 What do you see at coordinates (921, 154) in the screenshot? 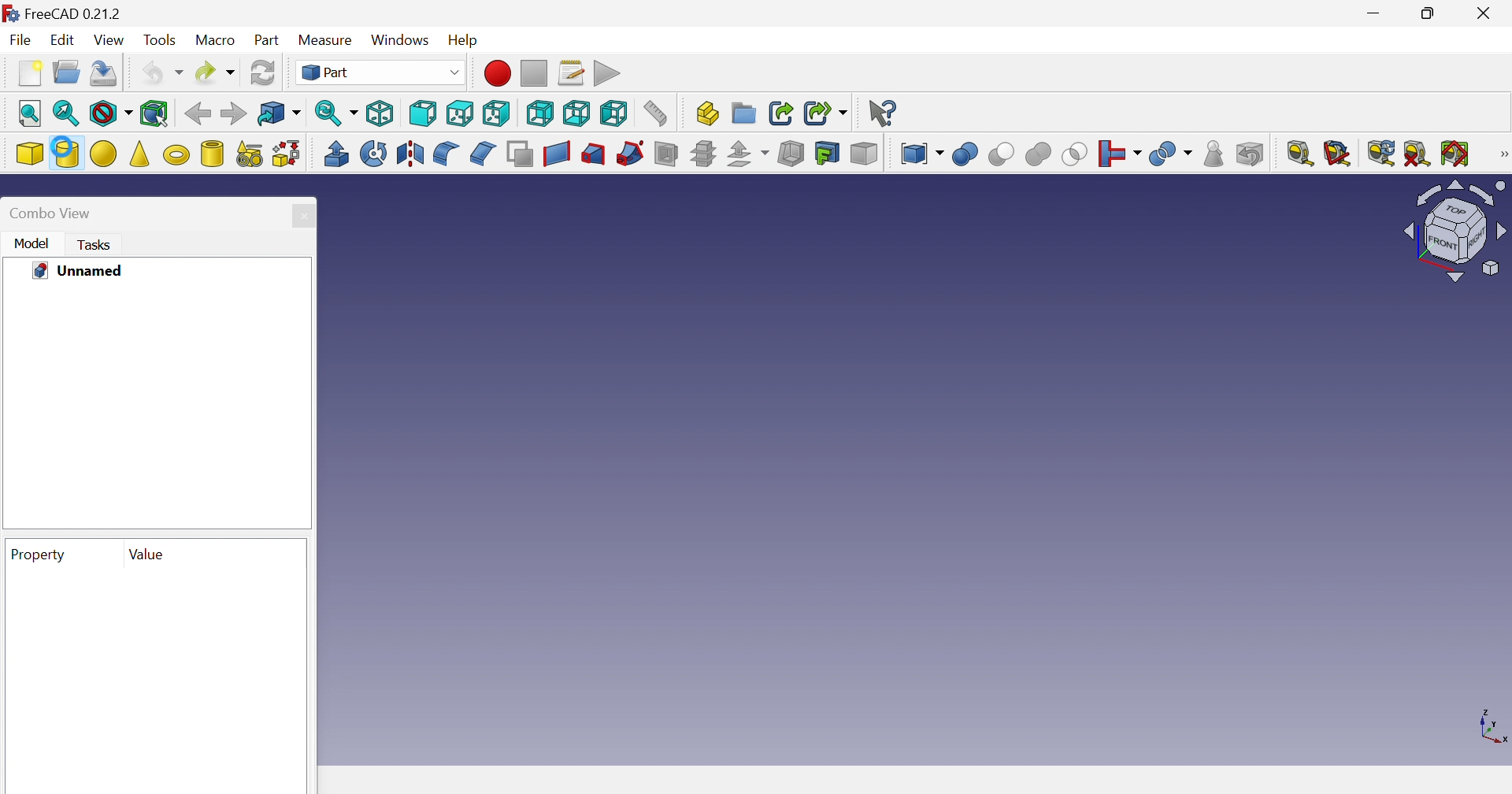
I see `Compound tools` at bounding box center [921, 154].